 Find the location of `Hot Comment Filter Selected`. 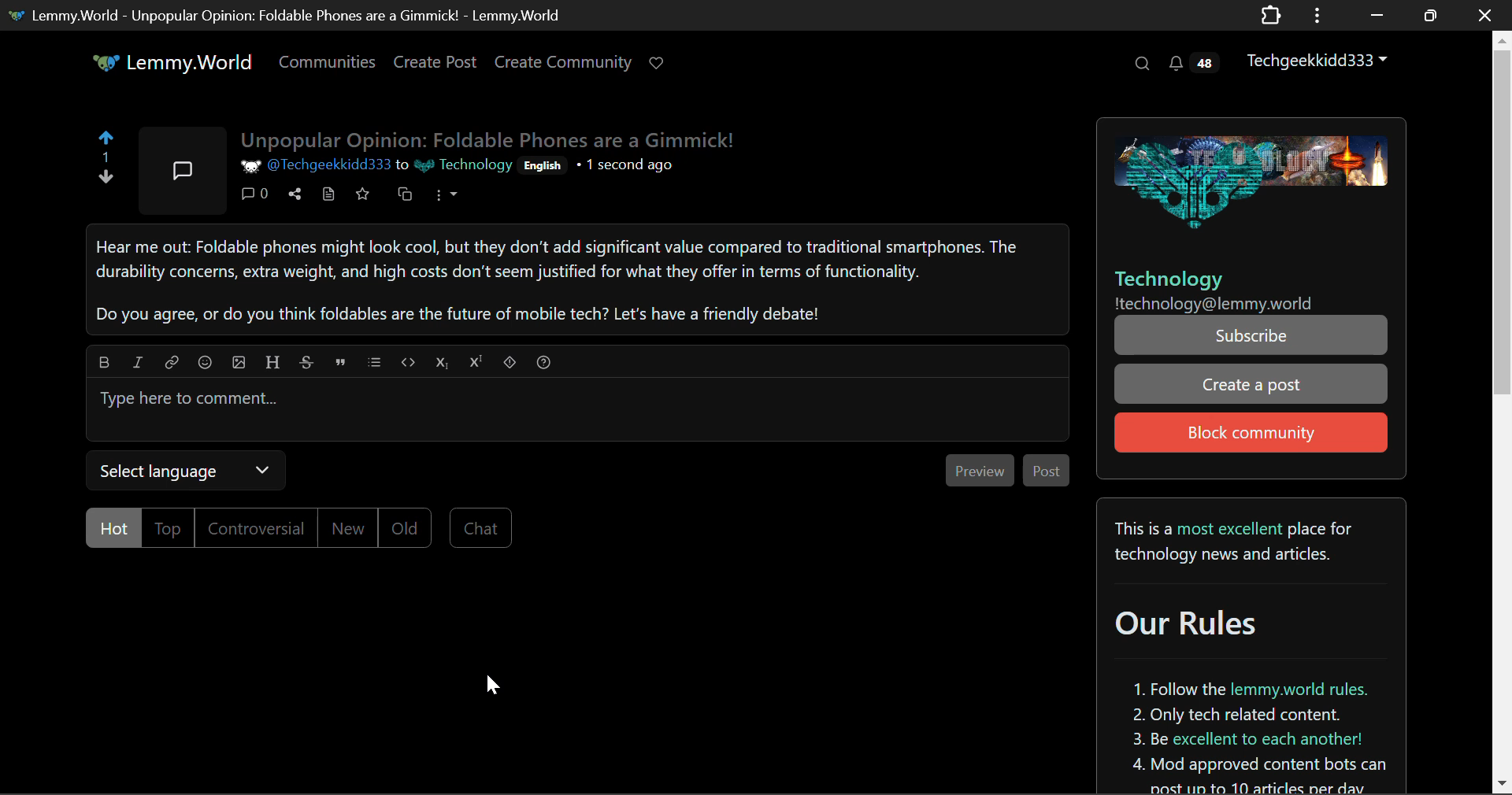

Hot Comment Filter Selected is located at coordinates (110, 529).